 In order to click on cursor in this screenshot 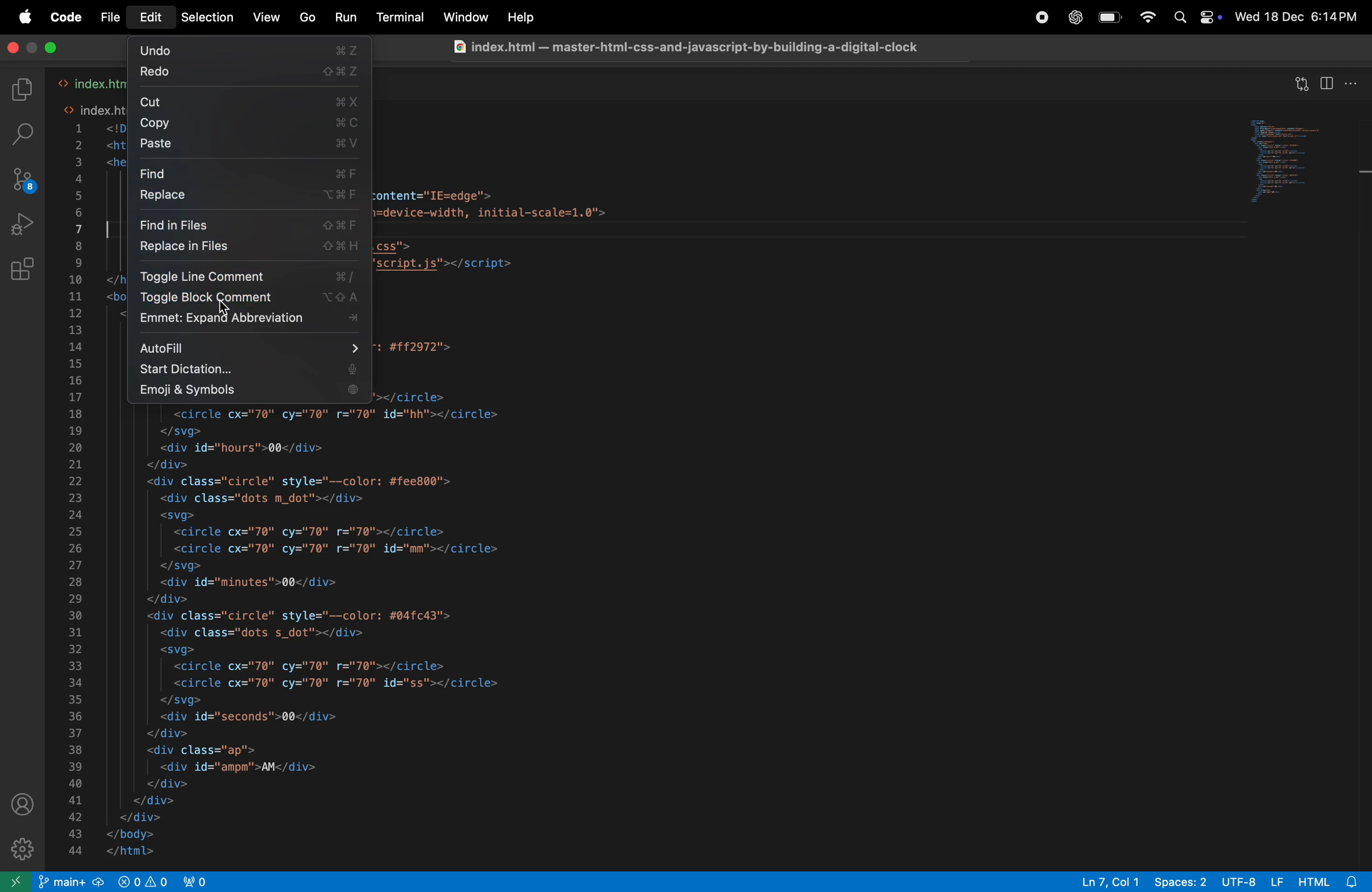, I will do `click(223, 309)`.